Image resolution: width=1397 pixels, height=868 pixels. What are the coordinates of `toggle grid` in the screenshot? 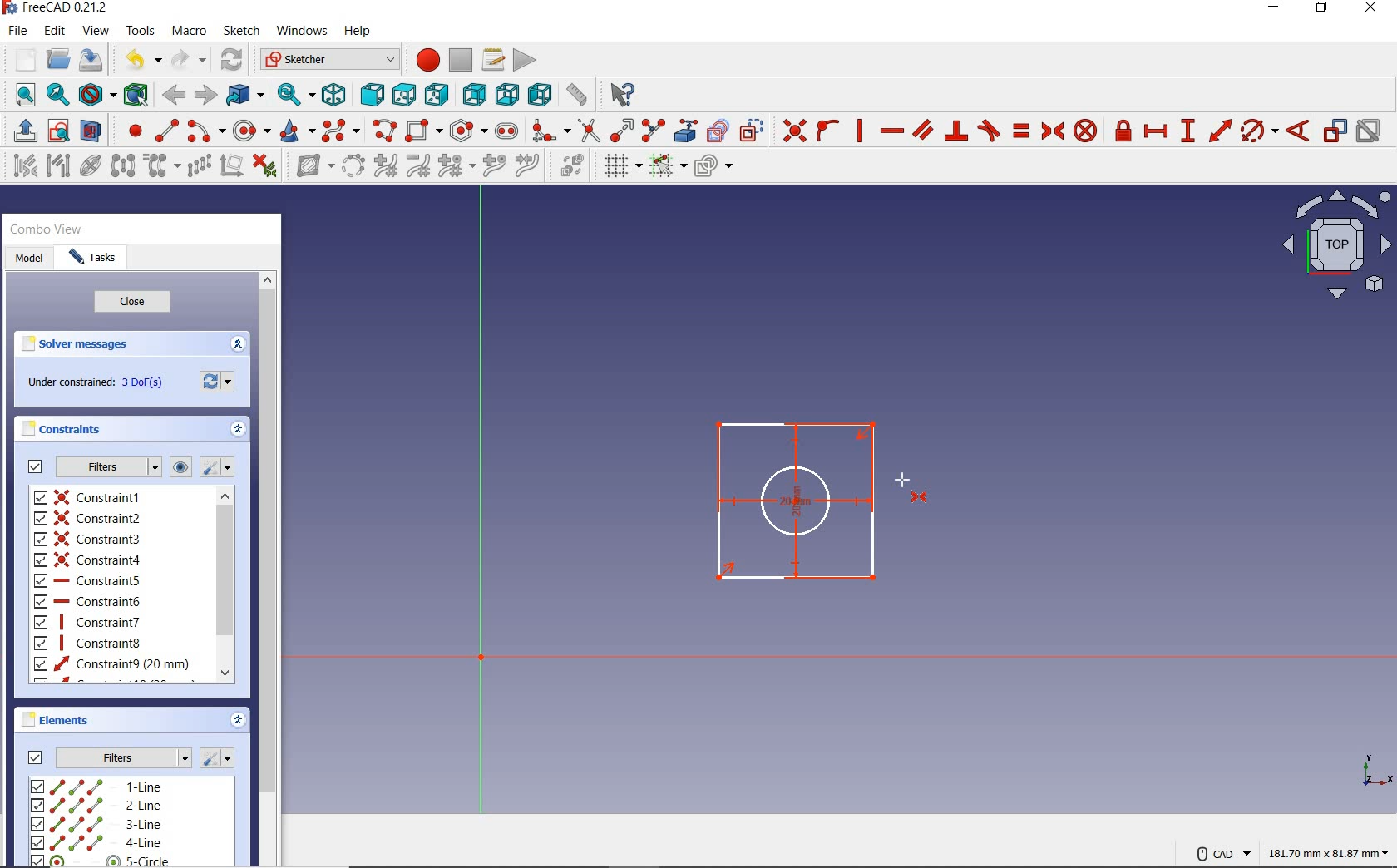 It's located at (619, 167).